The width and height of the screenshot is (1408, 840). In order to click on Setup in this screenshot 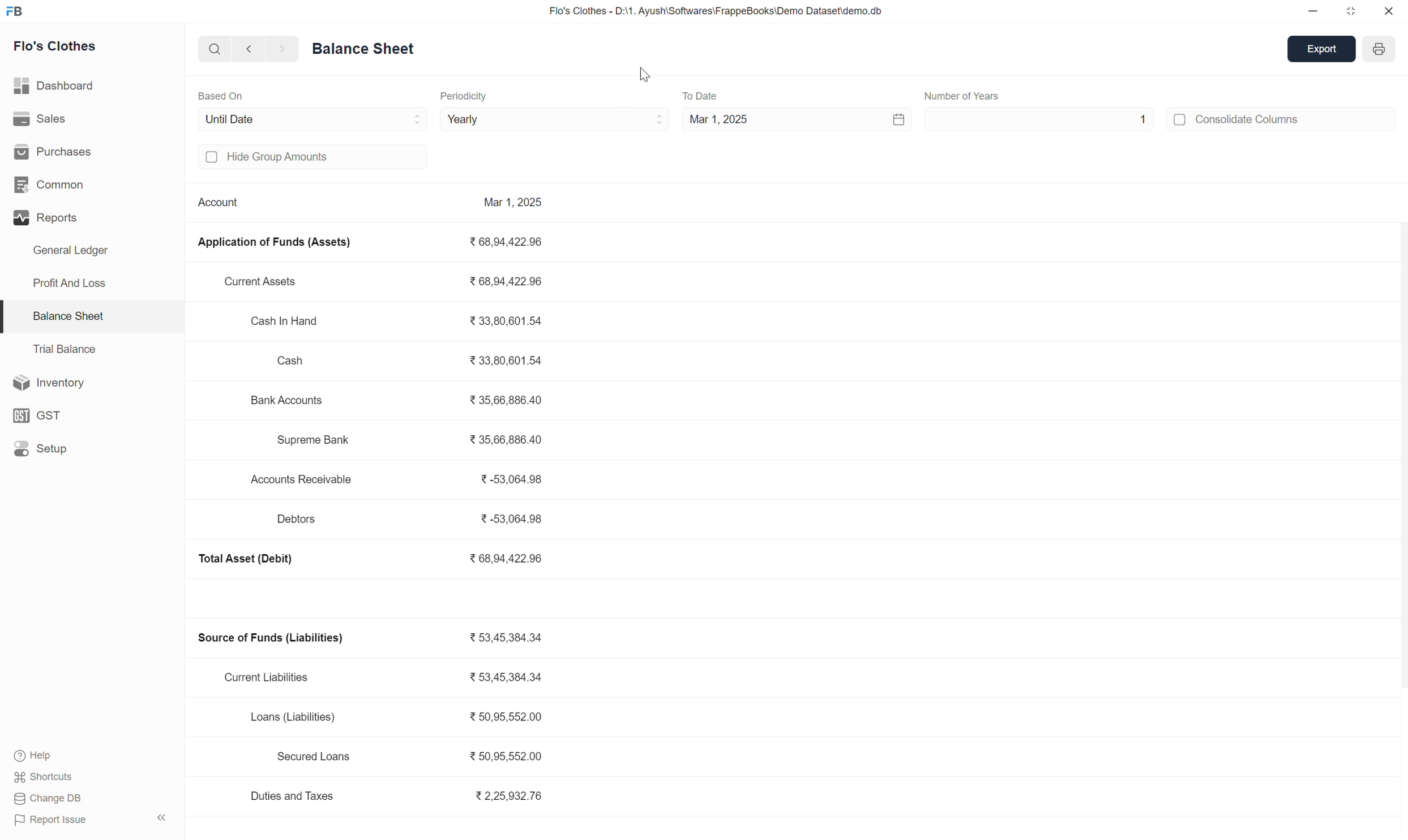, I will do `click(45, 448)`.